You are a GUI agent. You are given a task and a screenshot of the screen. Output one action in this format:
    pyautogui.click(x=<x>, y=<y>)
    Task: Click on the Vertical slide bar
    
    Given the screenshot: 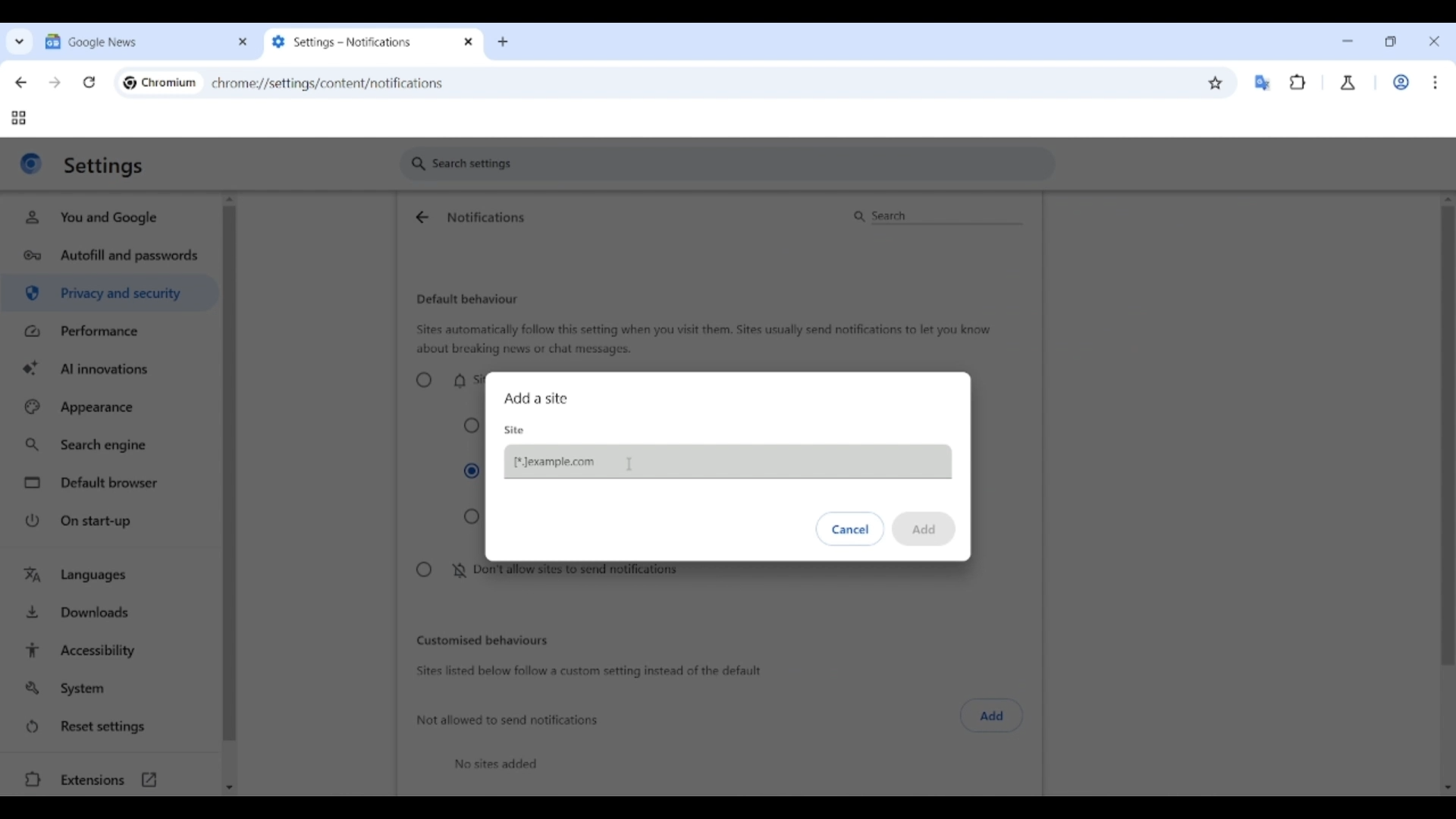 What is the action you would take?
    pyautogui.click(x=229, y=474)
    